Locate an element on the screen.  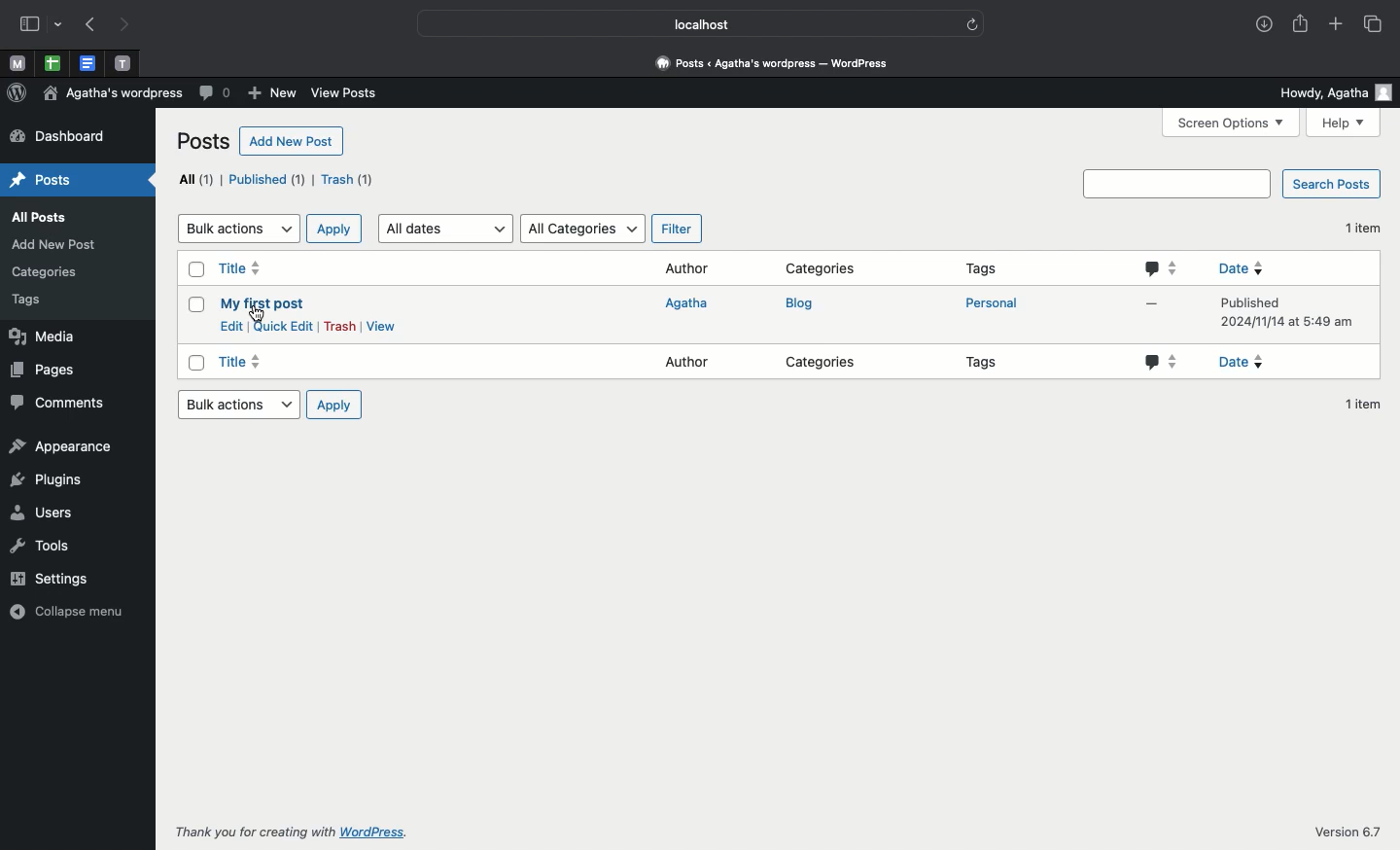
Bulk actions is located at coordinates (237, 229).